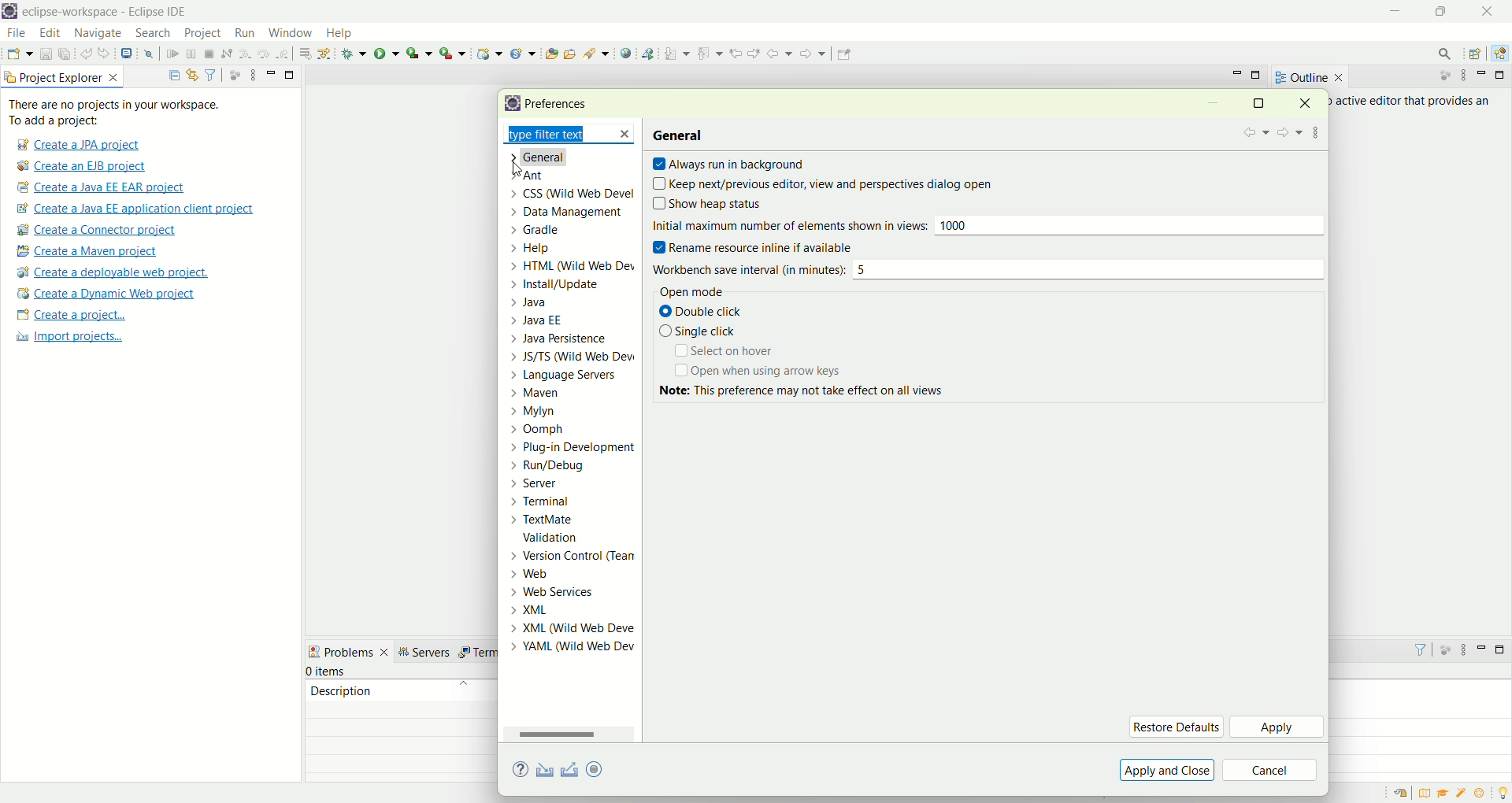 This screenshot has width=1512, height=803. I want to click on minimize, so click(1213, 105).